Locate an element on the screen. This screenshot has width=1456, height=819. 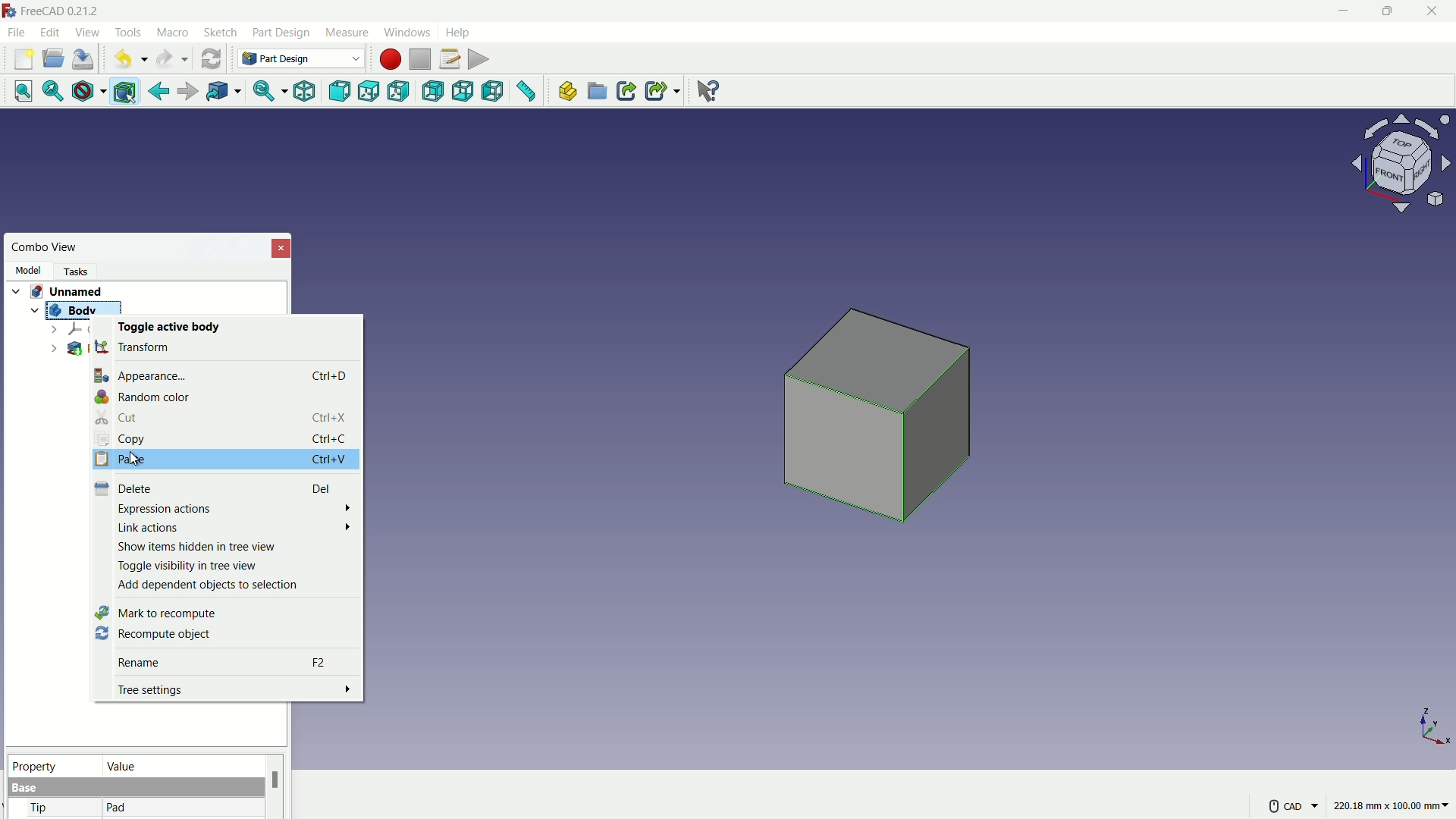
Expression actions is located at coordinates (234, 509).